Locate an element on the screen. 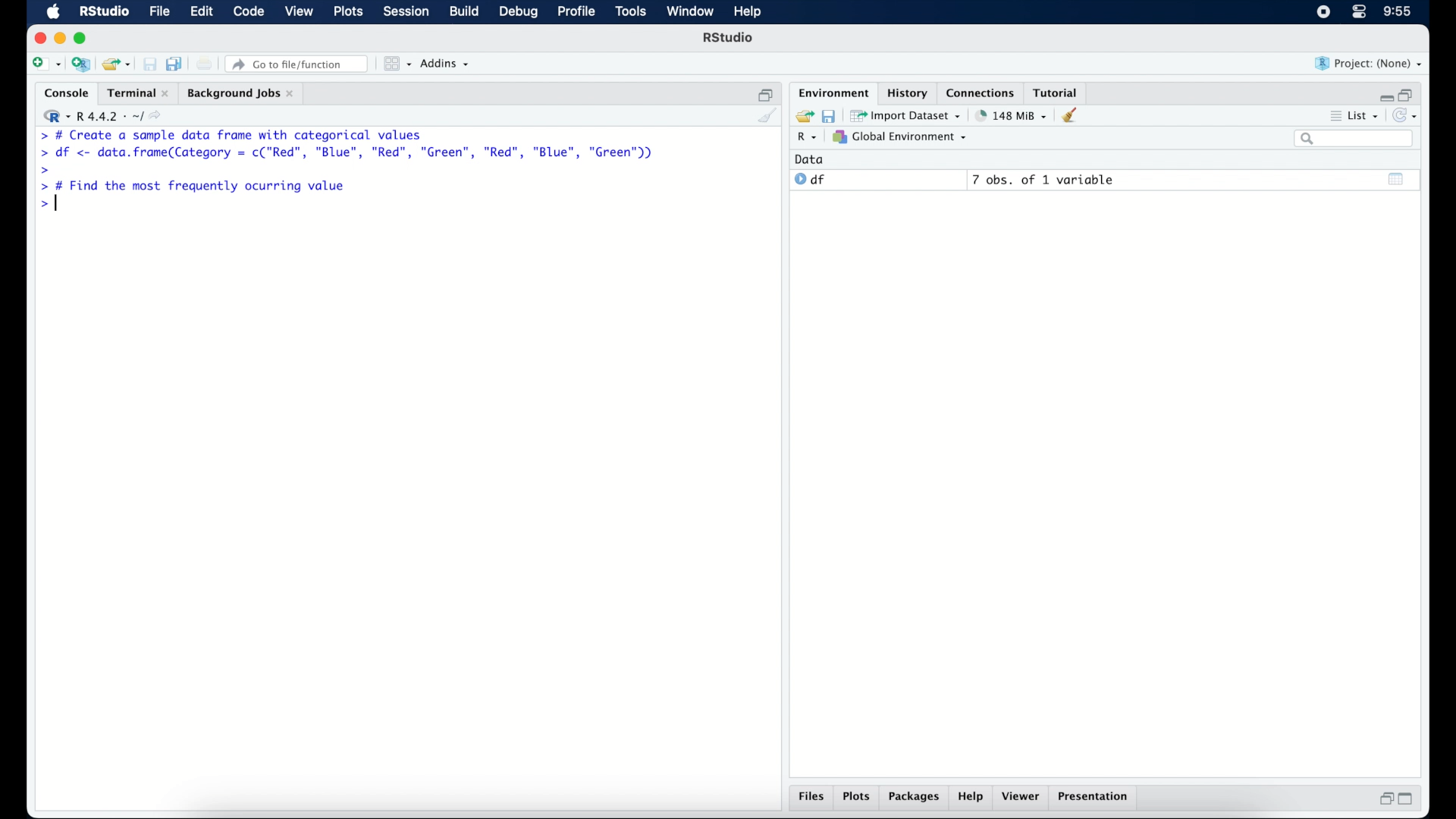  load workspace is located at coordinates (802, 114).